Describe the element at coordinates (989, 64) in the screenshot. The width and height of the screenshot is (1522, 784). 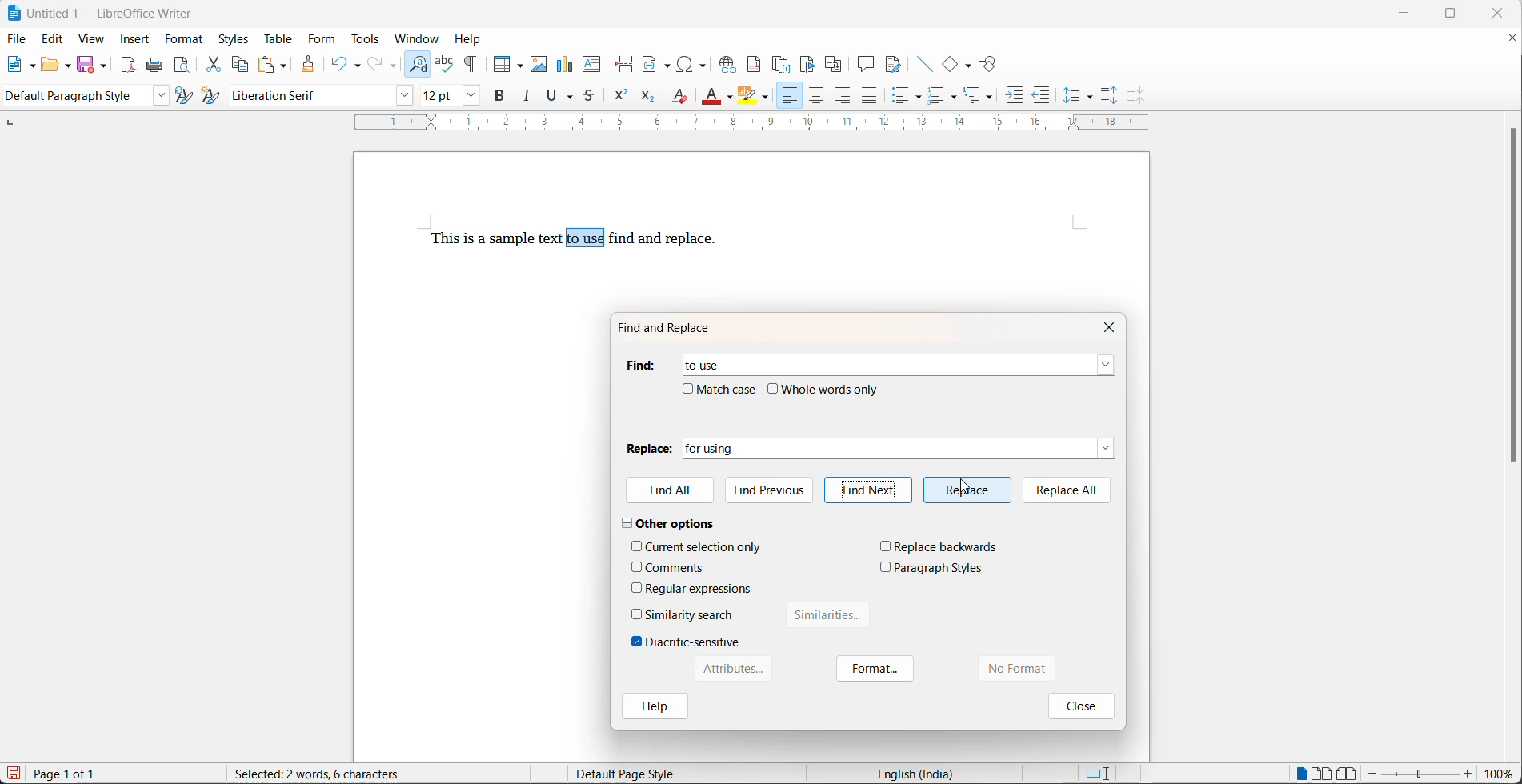
I see `show draw functions` at that location.